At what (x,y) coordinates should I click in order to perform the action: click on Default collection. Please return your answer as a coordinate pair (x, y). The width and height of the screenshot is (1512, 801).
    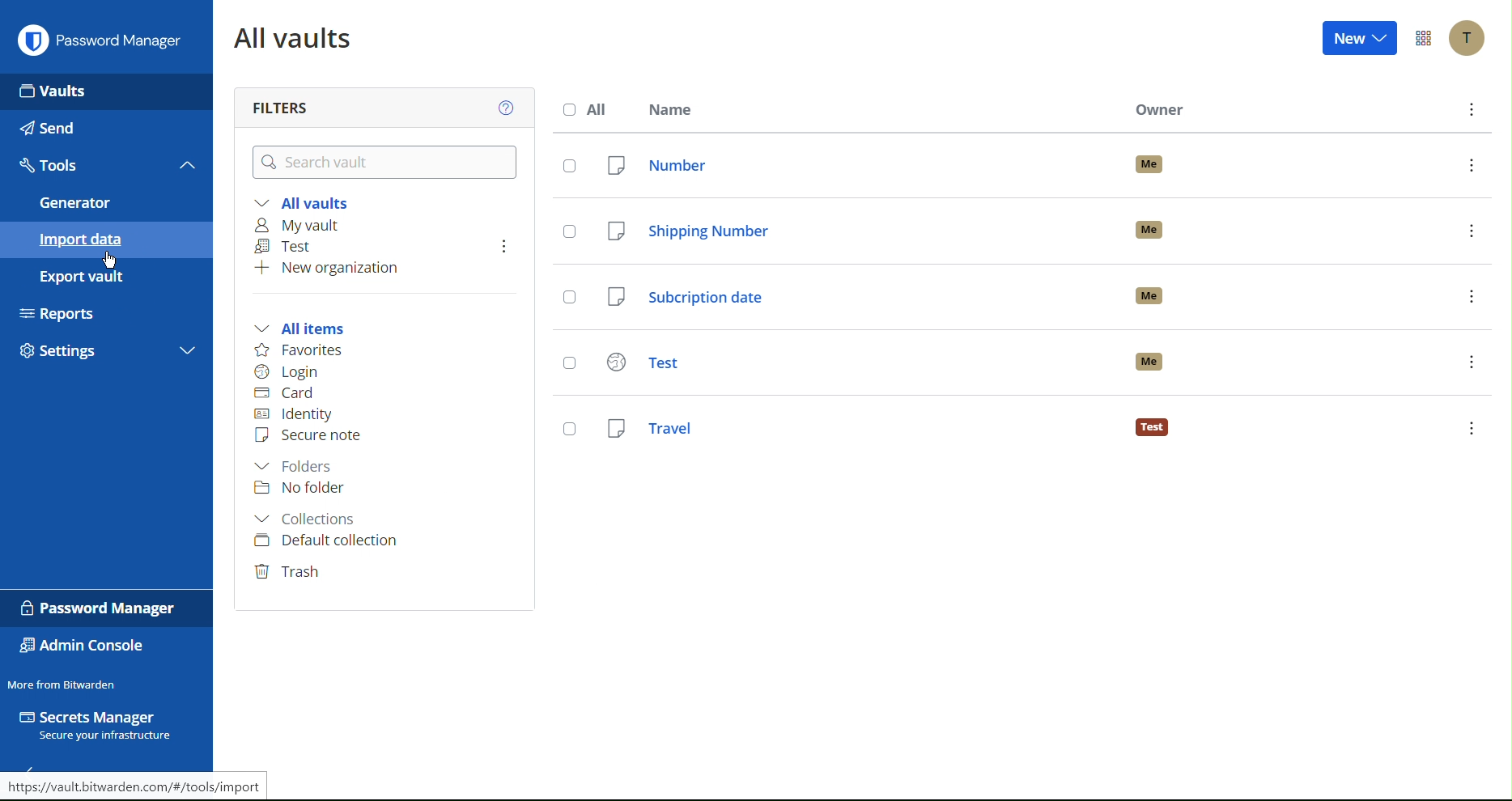
    Looking at the image, I should click on (329, 541).